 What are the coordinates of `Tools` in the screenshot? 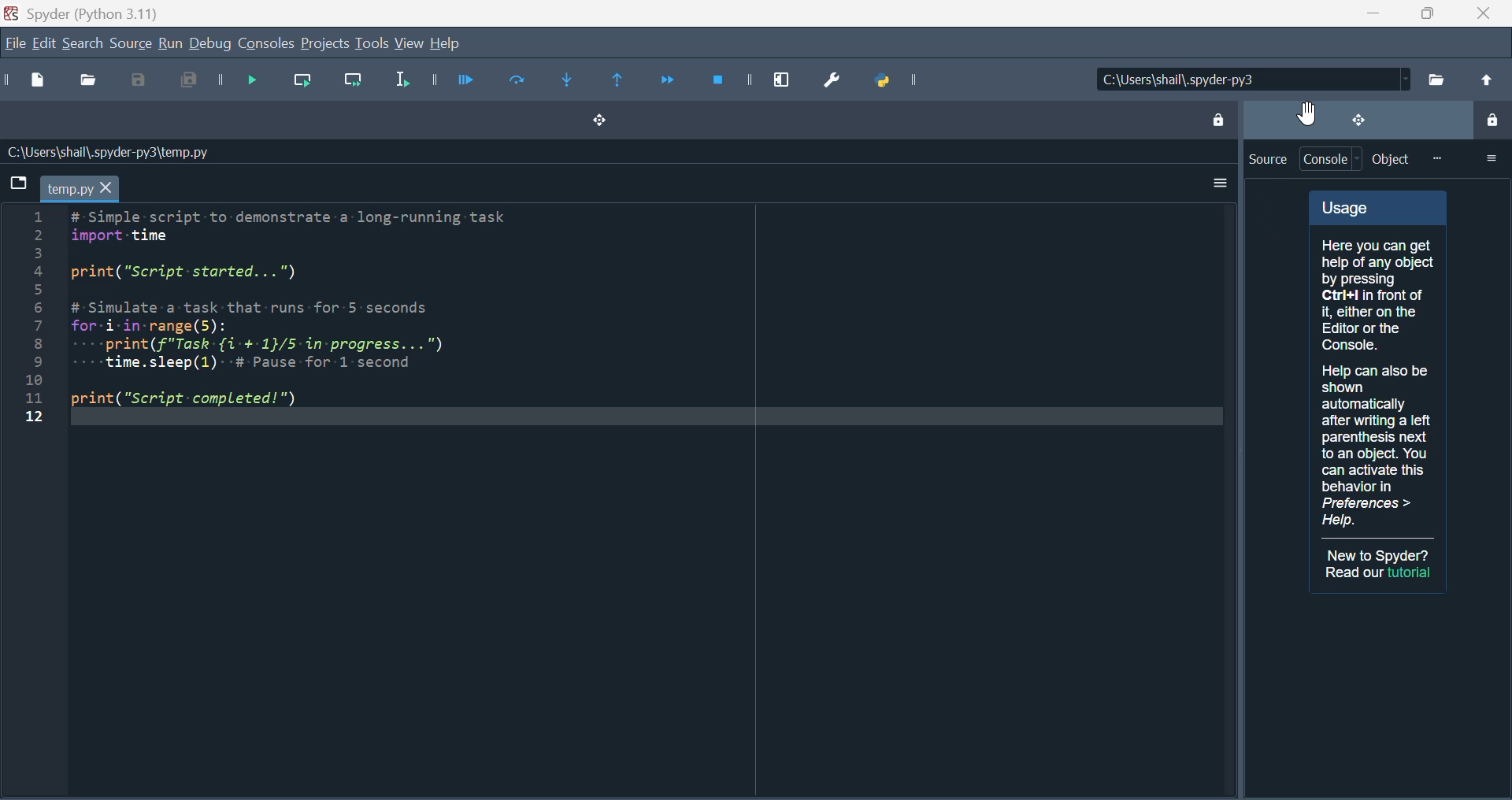 It's located at (371, 43).